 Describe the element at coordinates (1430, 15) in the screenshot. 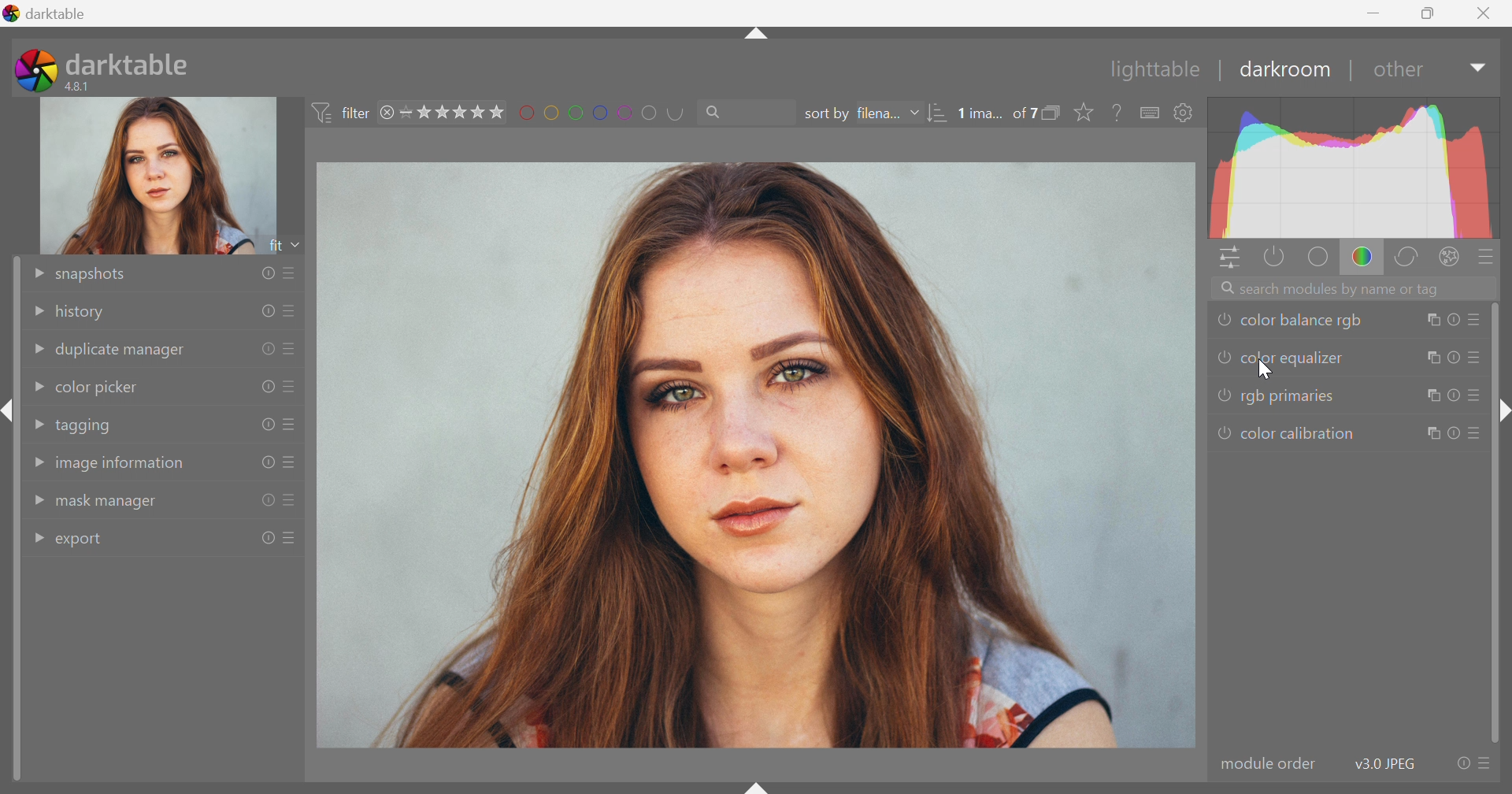

I see `Restore Down` at that location.